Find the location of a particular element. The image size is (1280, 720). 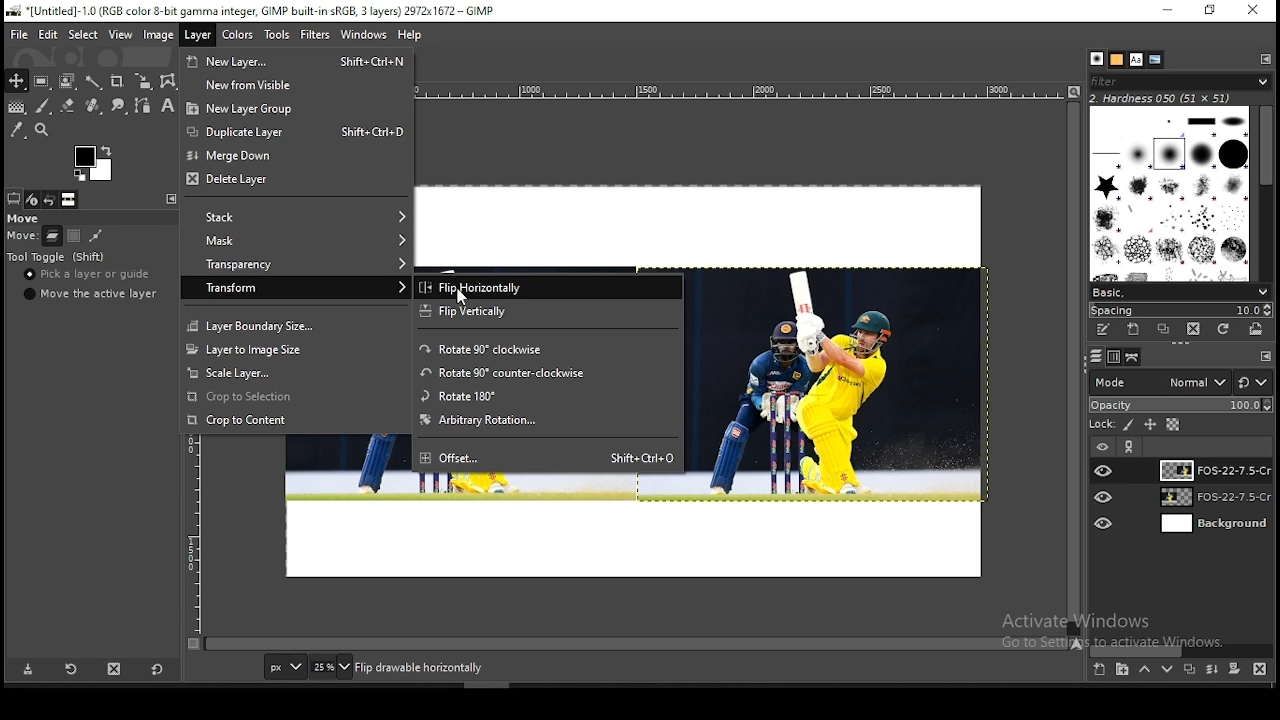

zoom tool is located at coordinates (44, 129).